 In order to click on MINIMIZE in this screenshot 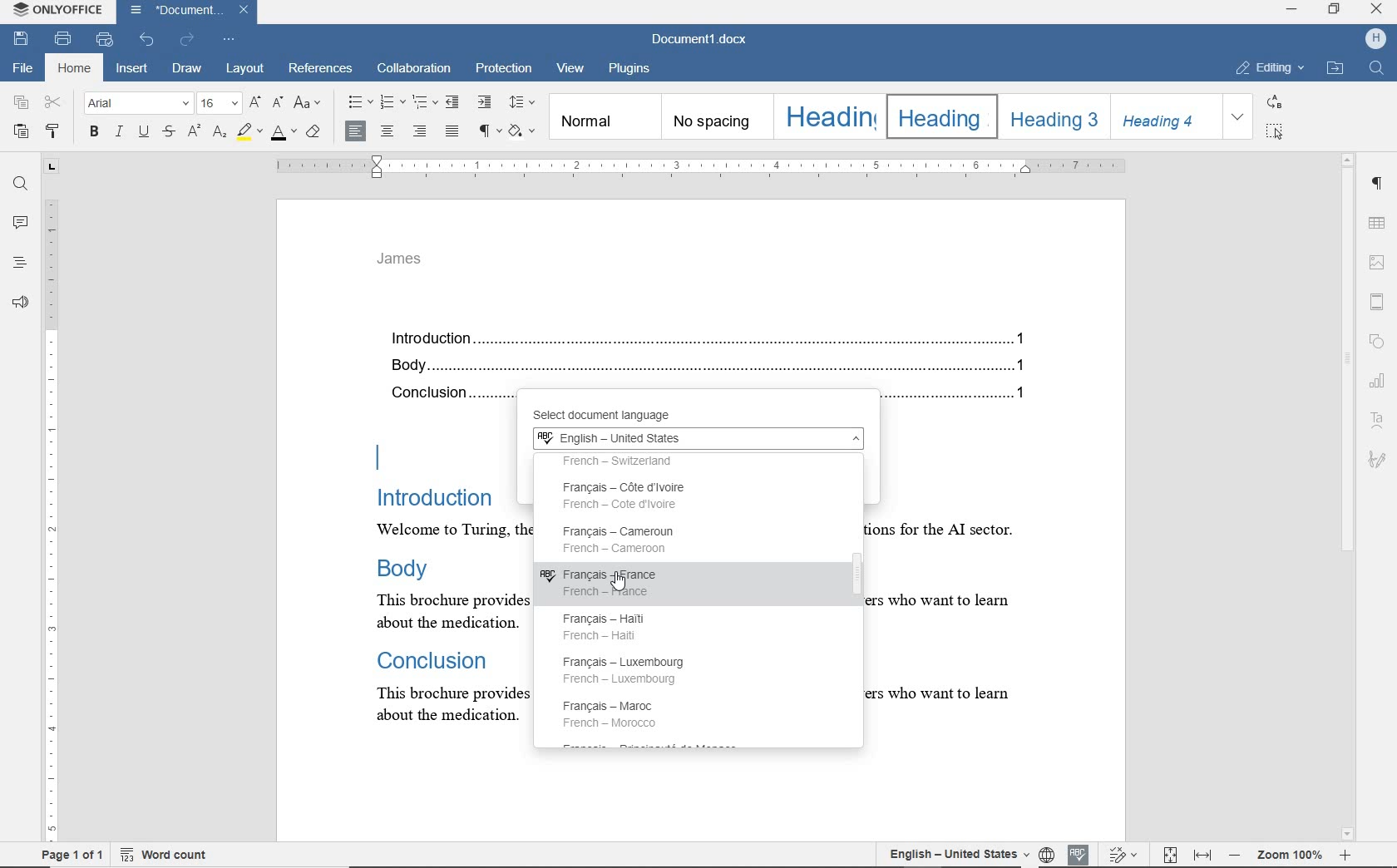, I will do `click(1292, 12)`.